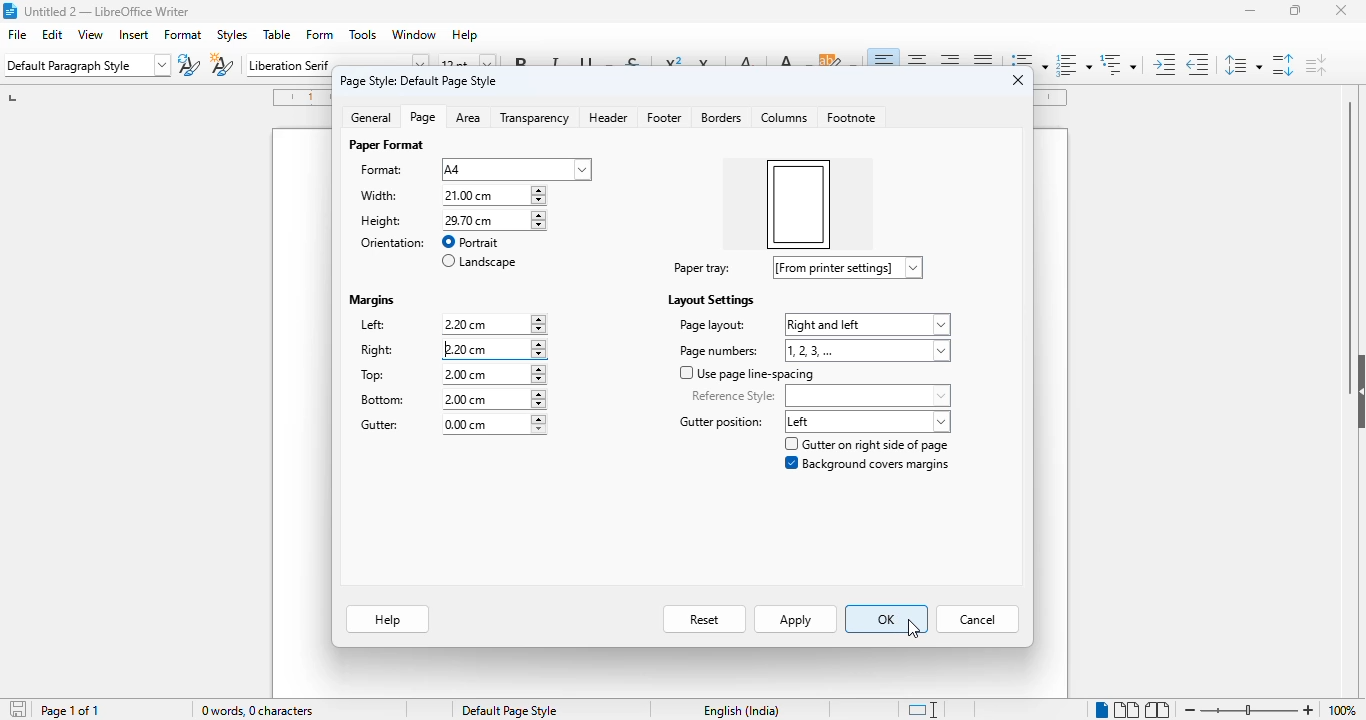 The width and height of the screenshot is (1366, 720). Describe the element at coordinates (1071, 64) in the screenshot. I see `toggle ordered list` at that location.